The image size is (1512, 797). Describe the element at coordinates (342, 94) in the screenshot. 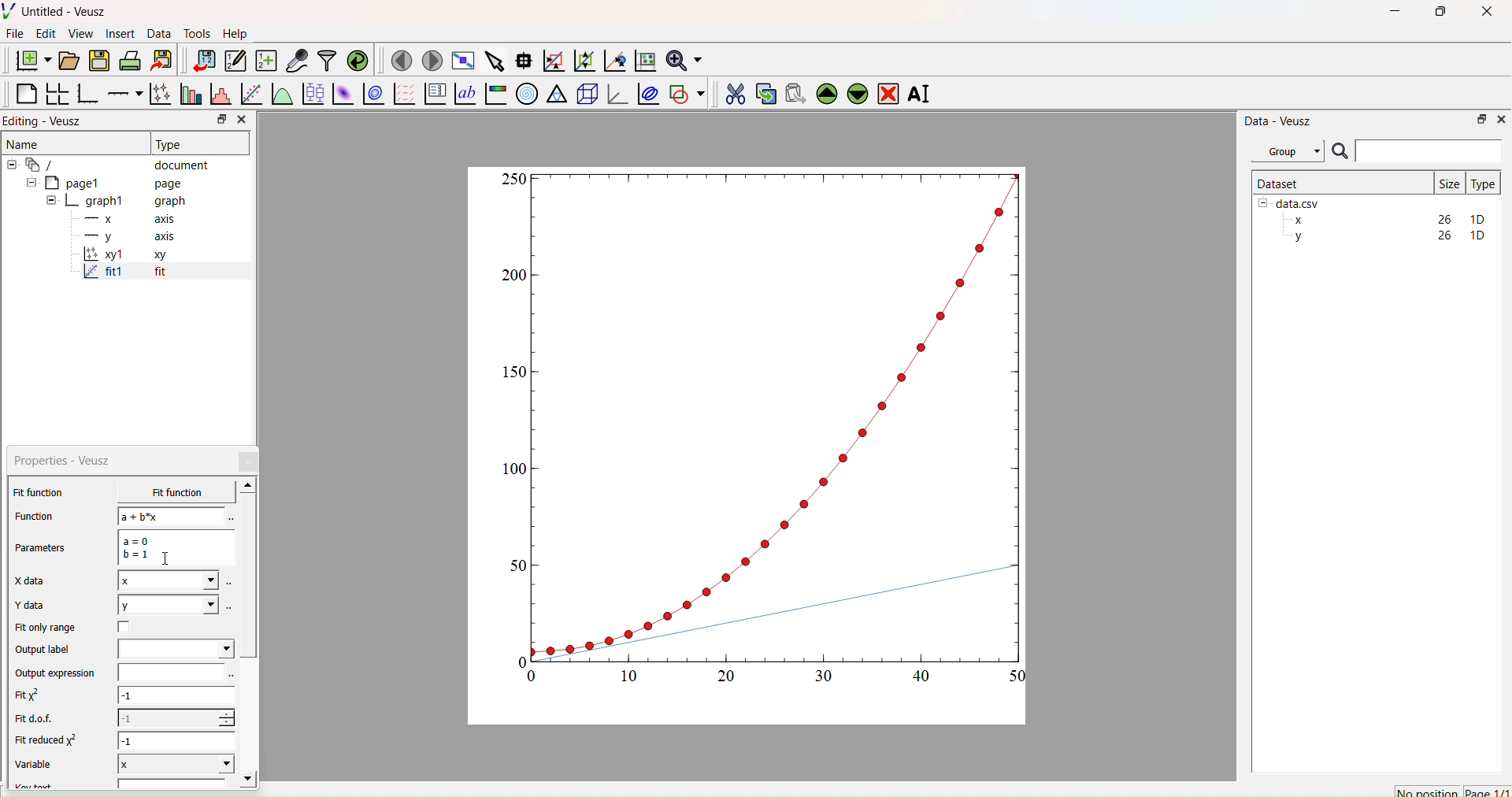

I see `Plot a 2d dataset as image` at that location.